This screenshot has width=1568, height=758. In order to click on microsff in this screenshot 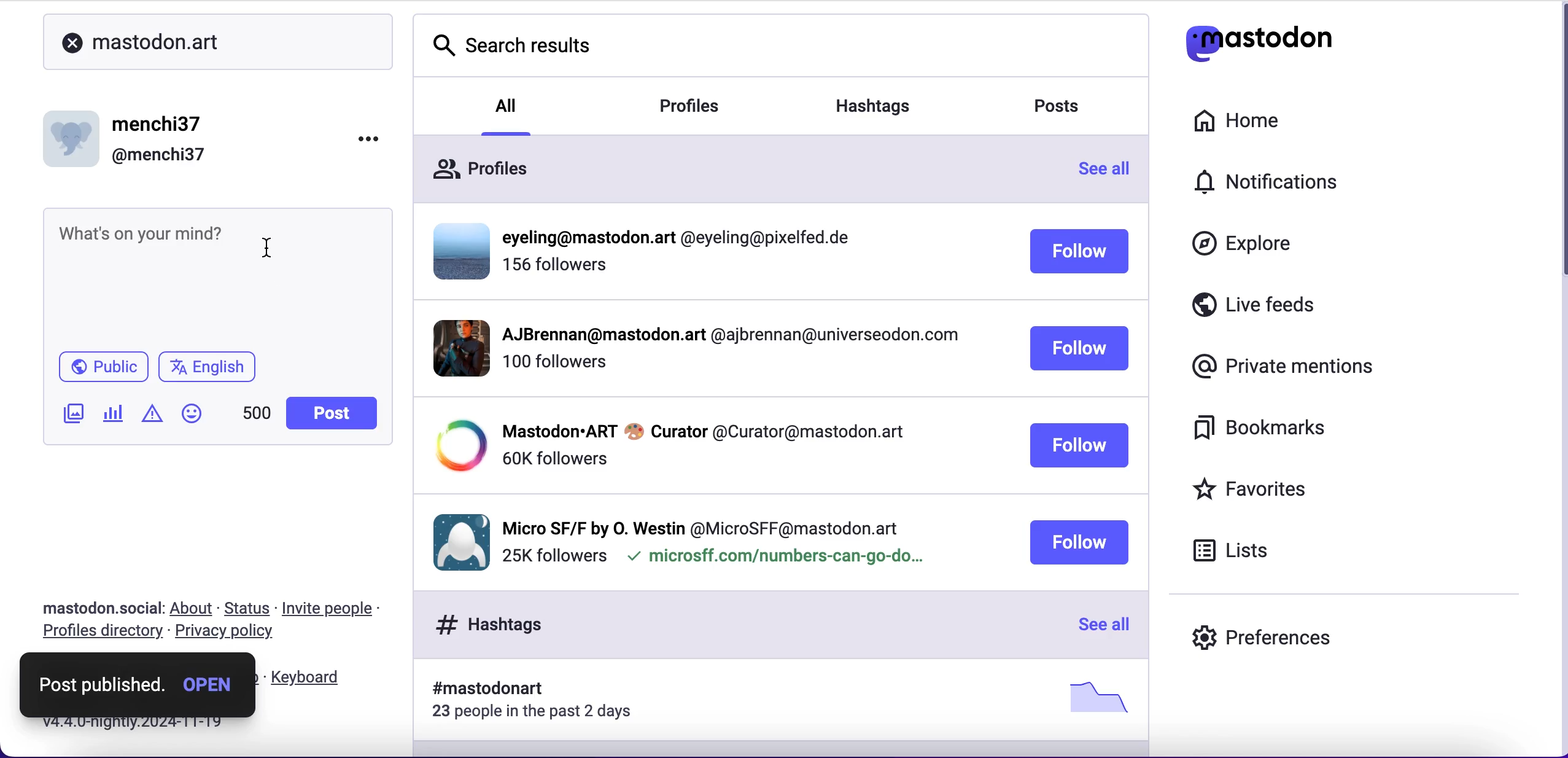, I will do `click(774, 559)`.